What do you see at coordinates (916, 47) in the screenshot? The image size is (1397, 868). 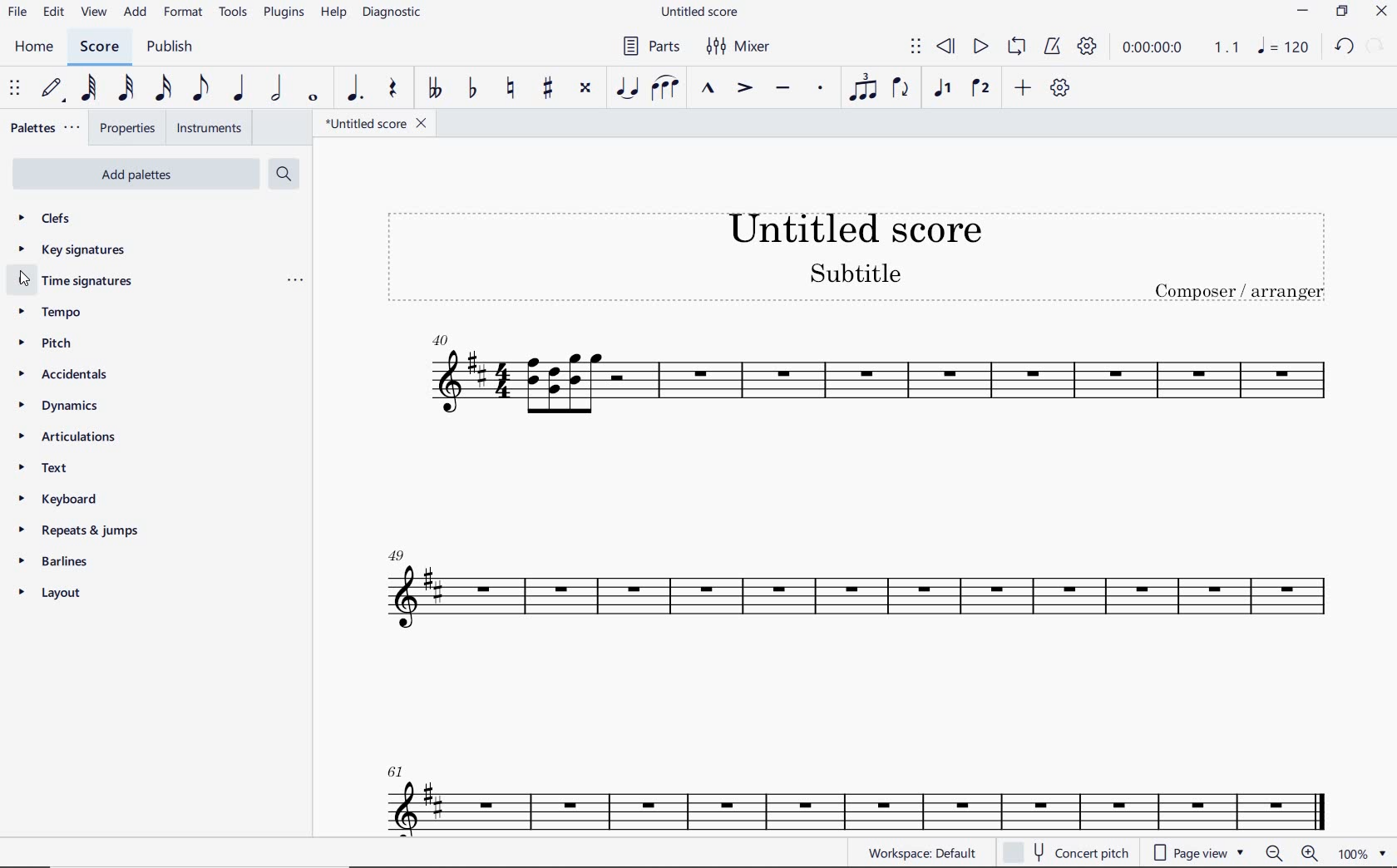 I see `SELECT TO MOVE` at bounding box center [916, 47].